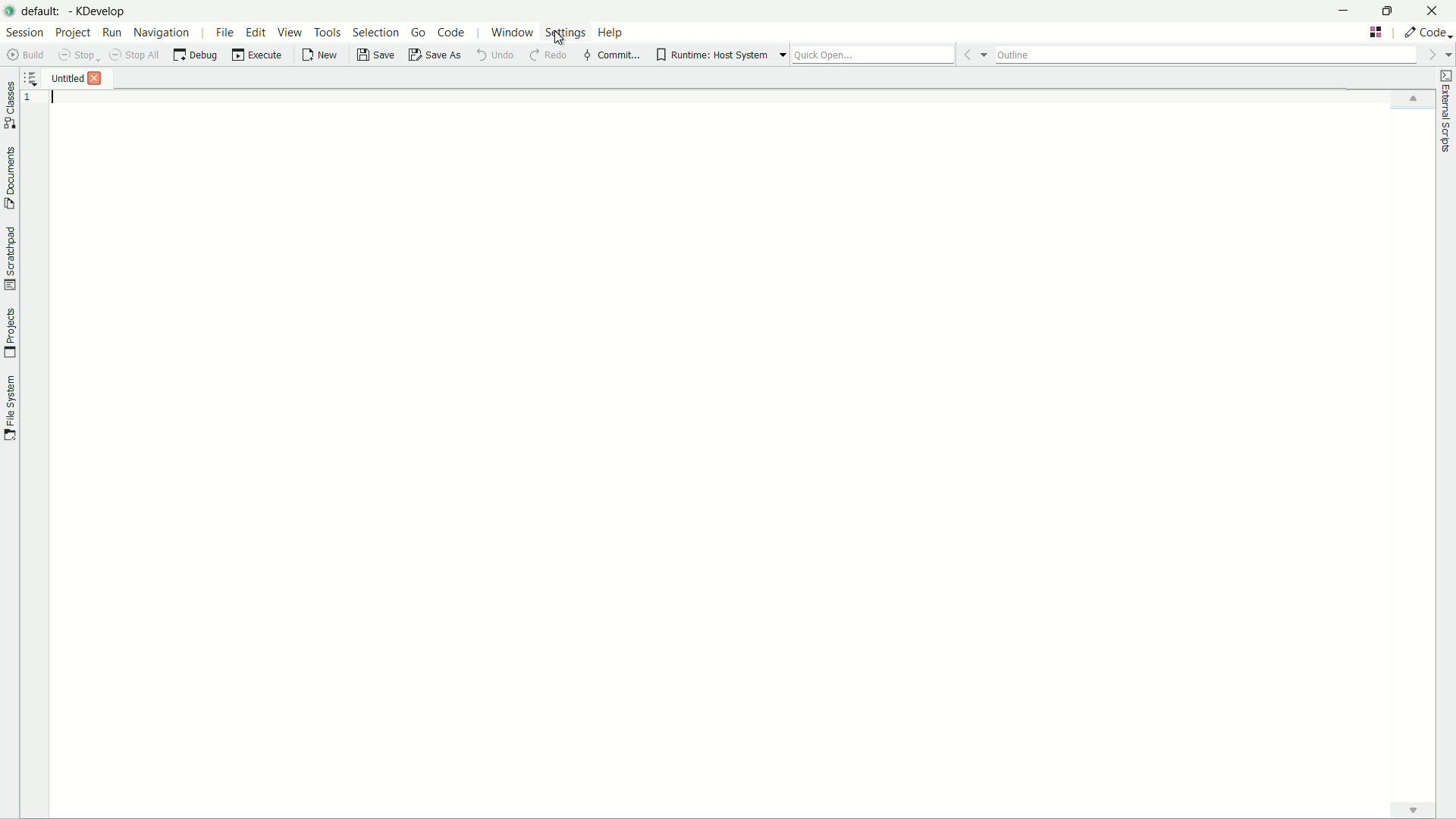 This screenshot has width=1456, height=819. What do you see at coordinates (162, 34) in the screenshot?
I see `navigation` at bounding box center [162, 34].